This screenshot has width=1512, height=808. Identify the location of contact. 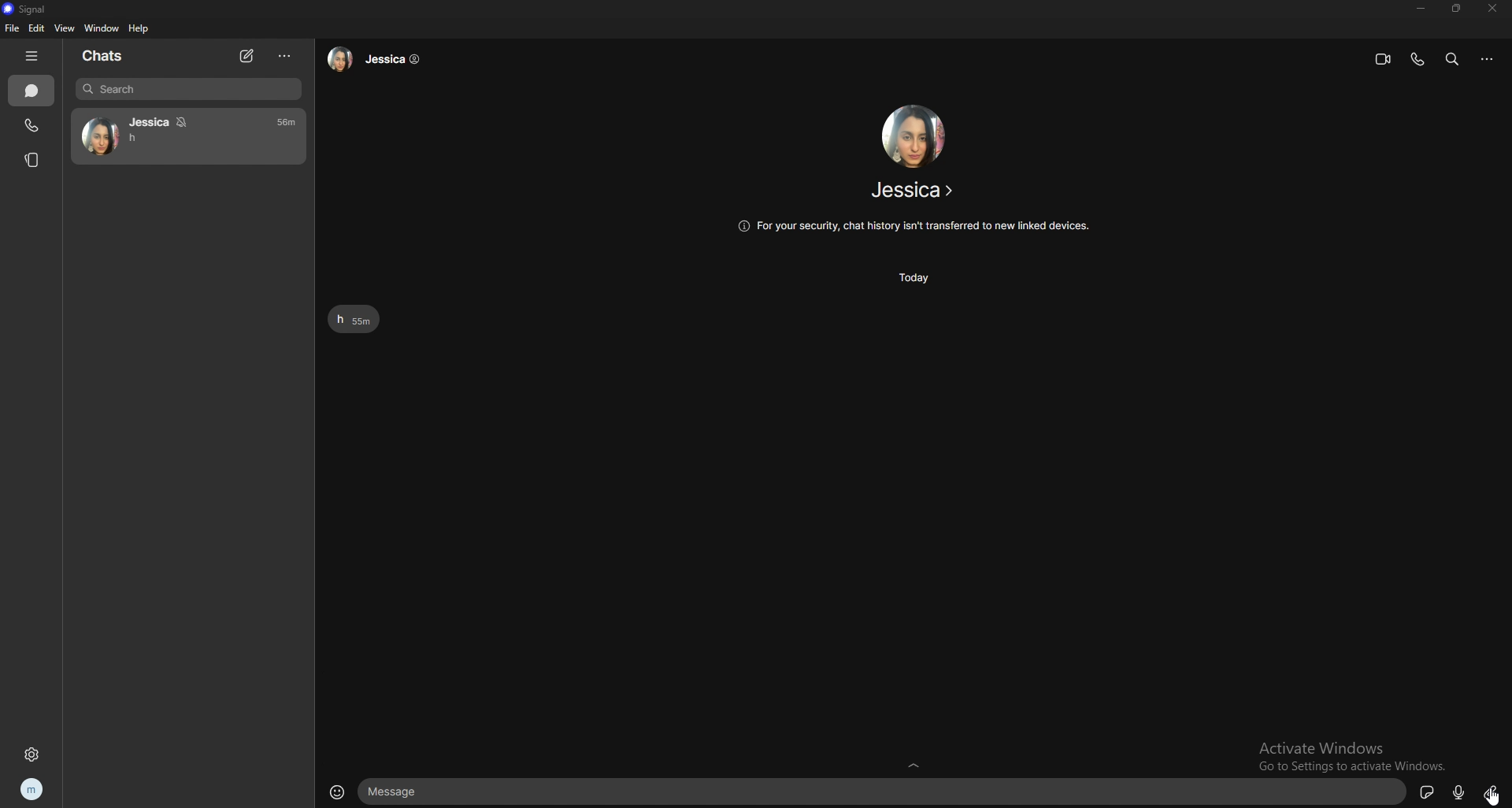
(914, 190).